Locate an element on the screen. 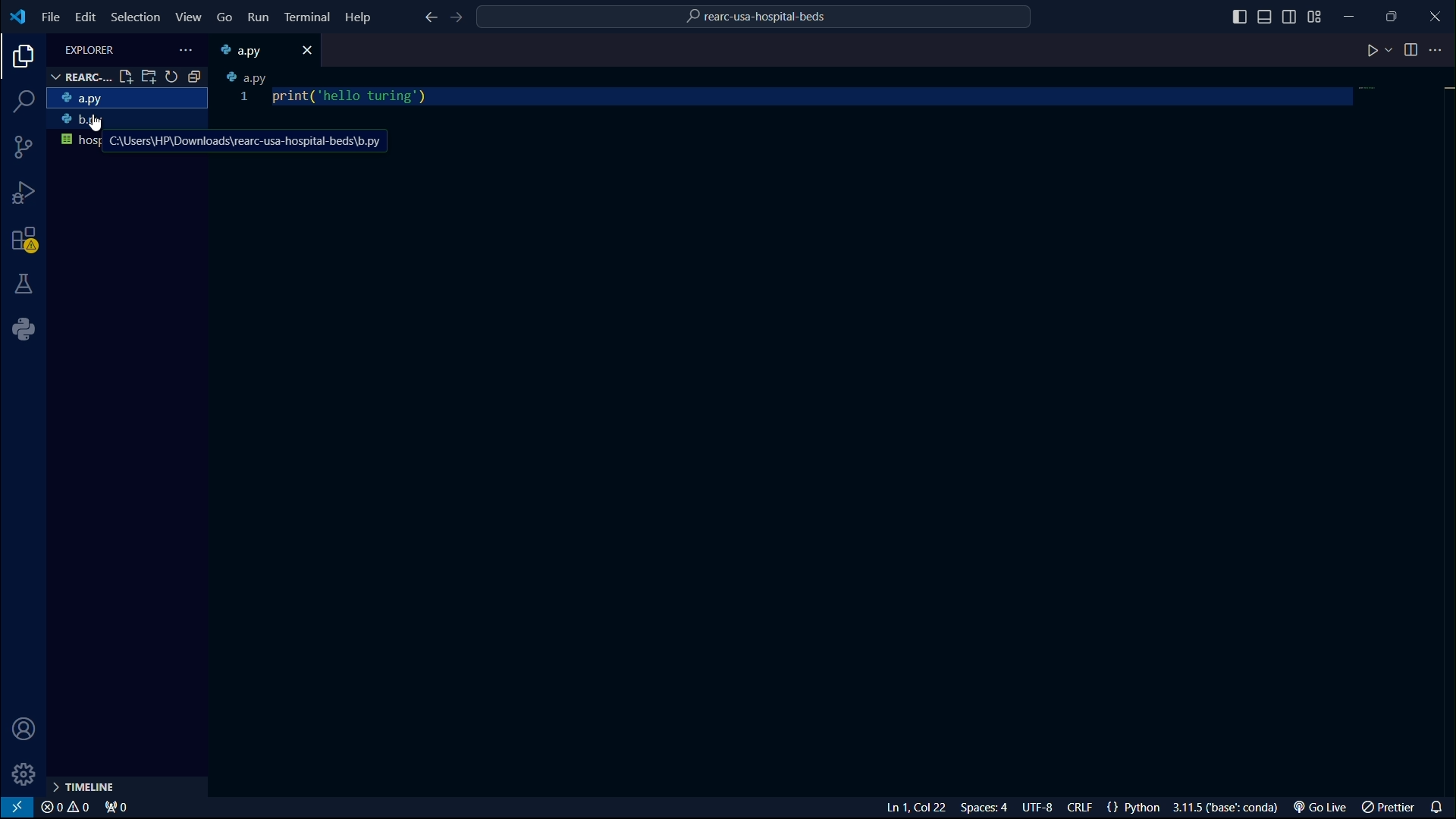  toggle primary sidebar is located at coordinates (1235, 15).